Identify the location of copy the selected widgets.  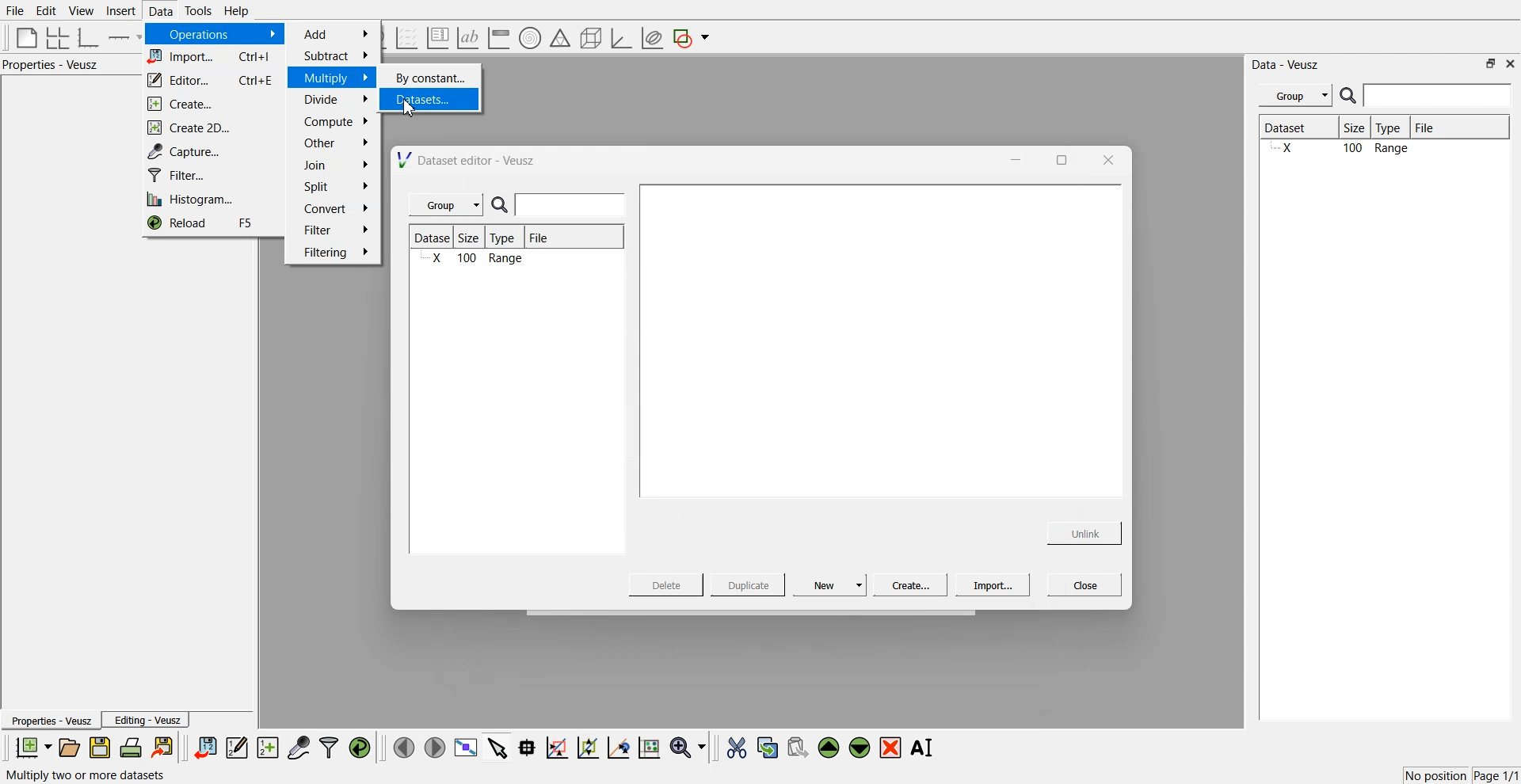
(768, 747).